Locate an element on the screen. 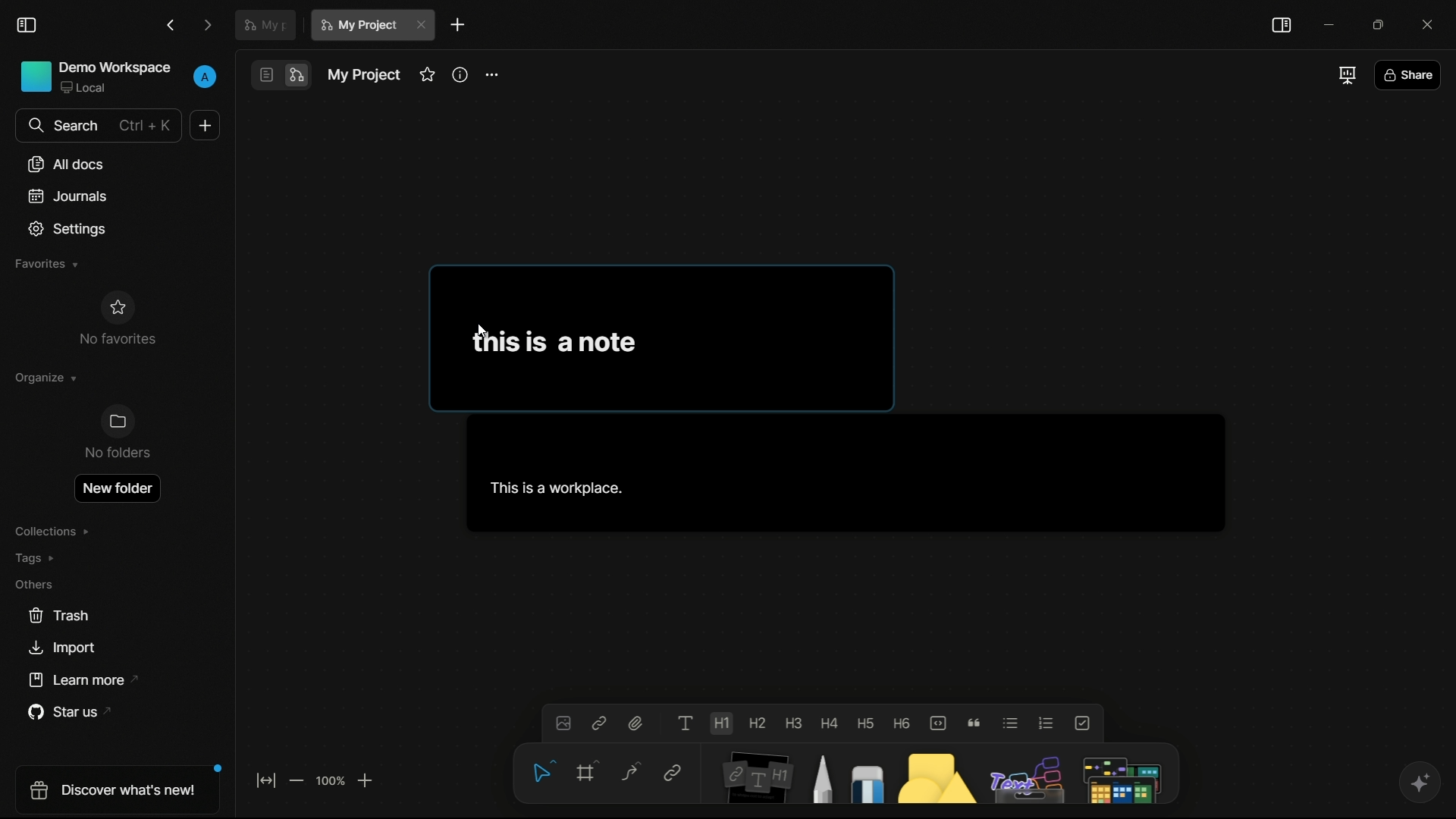  text is located at coordinates (686, 723).